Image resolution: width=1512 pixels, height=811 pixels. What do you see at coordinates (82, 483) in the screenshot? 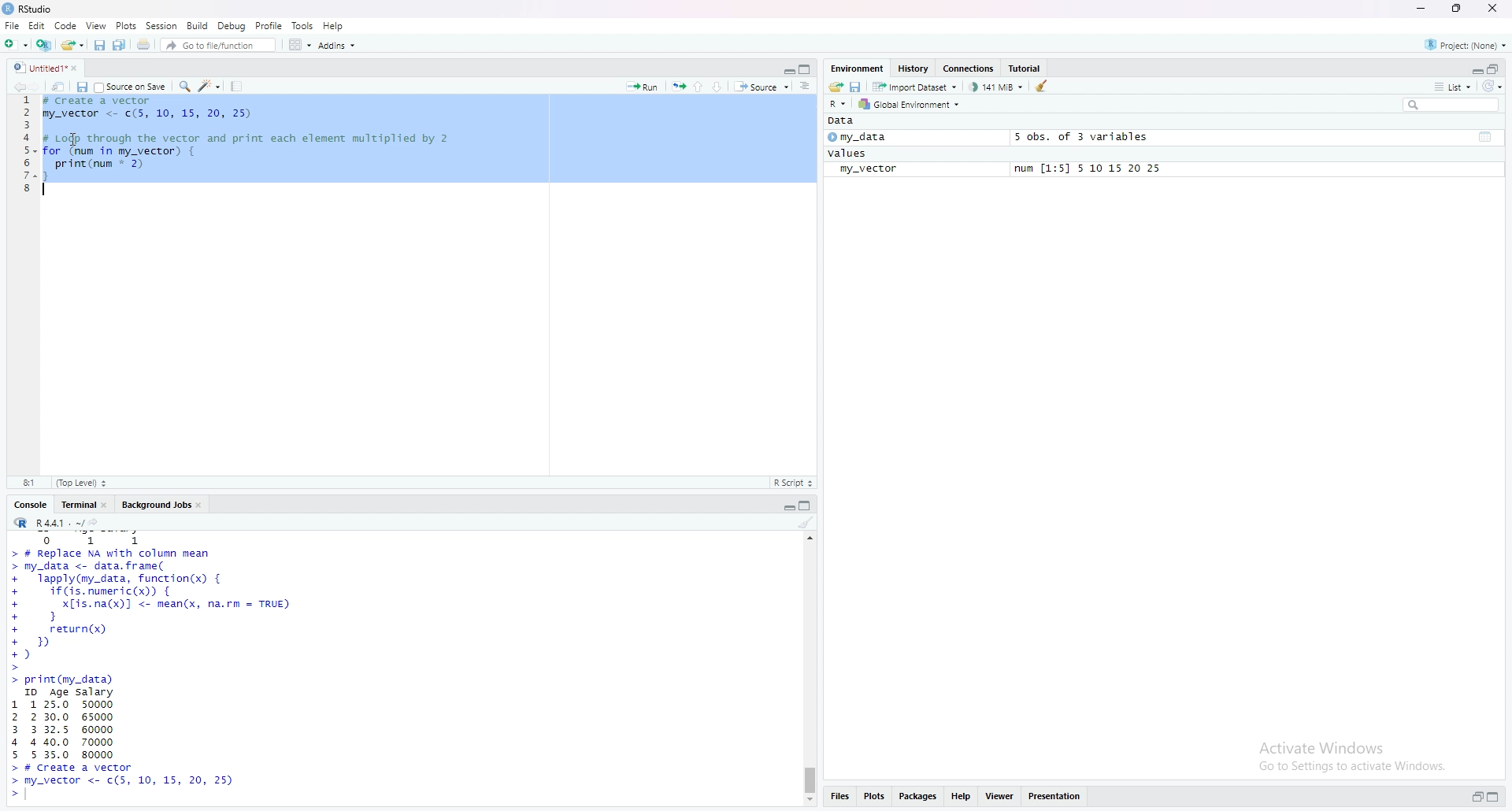
I see `top level` at bounding box center [82, 483].